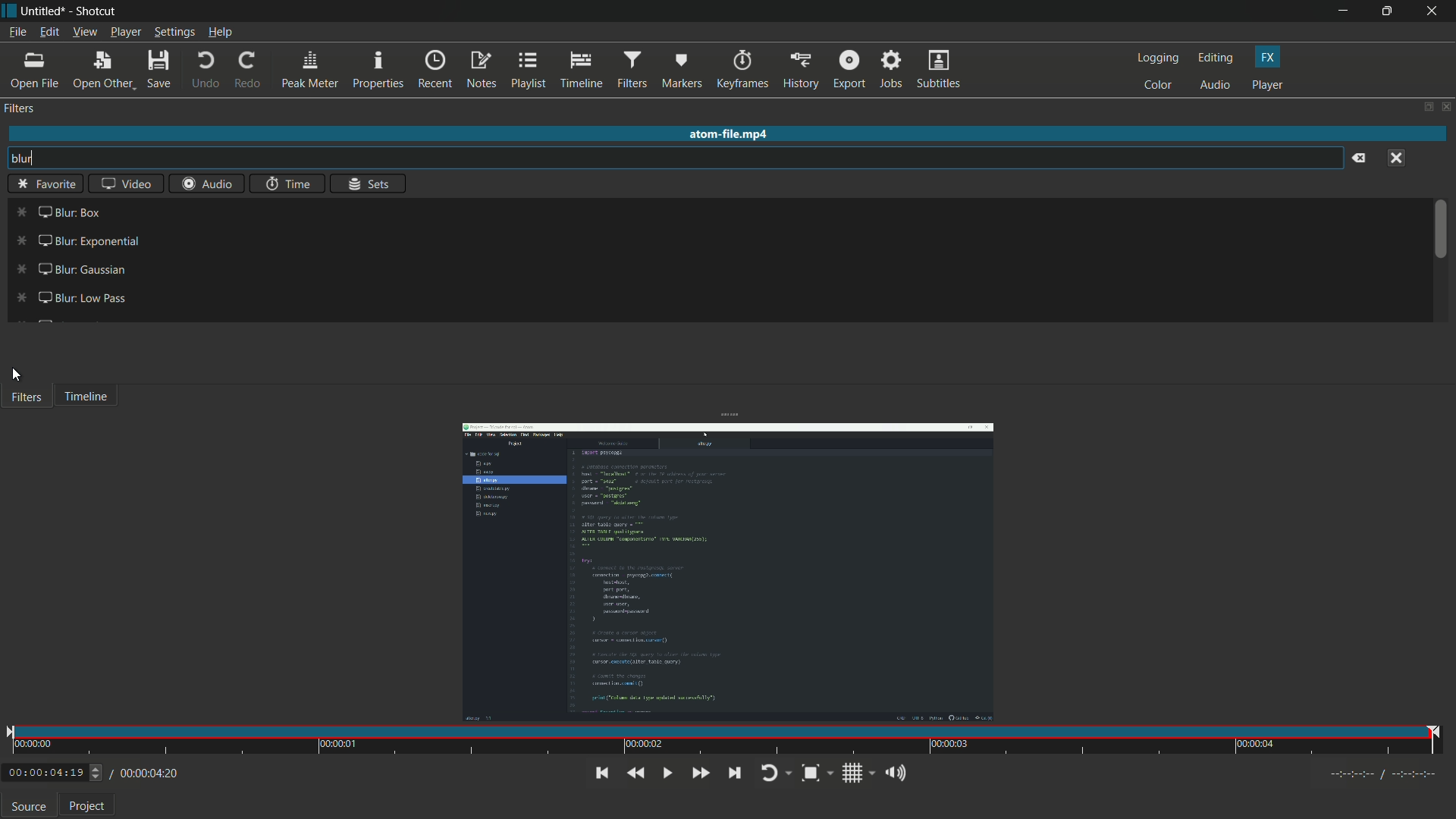  What do you see at coordinates (377, 71) in the screenshot?
I see `properties` at bounding box center [377, 71].